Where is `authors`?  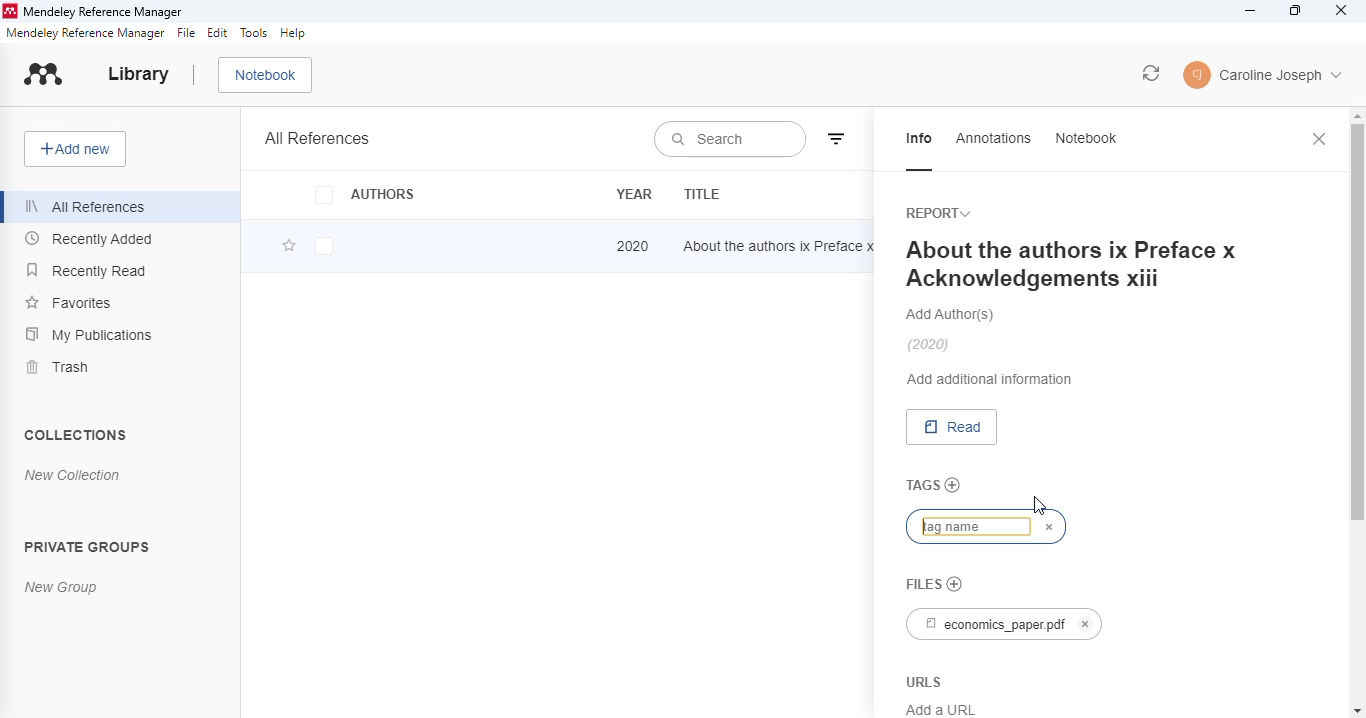
authors is located at coordinates (365, 194).